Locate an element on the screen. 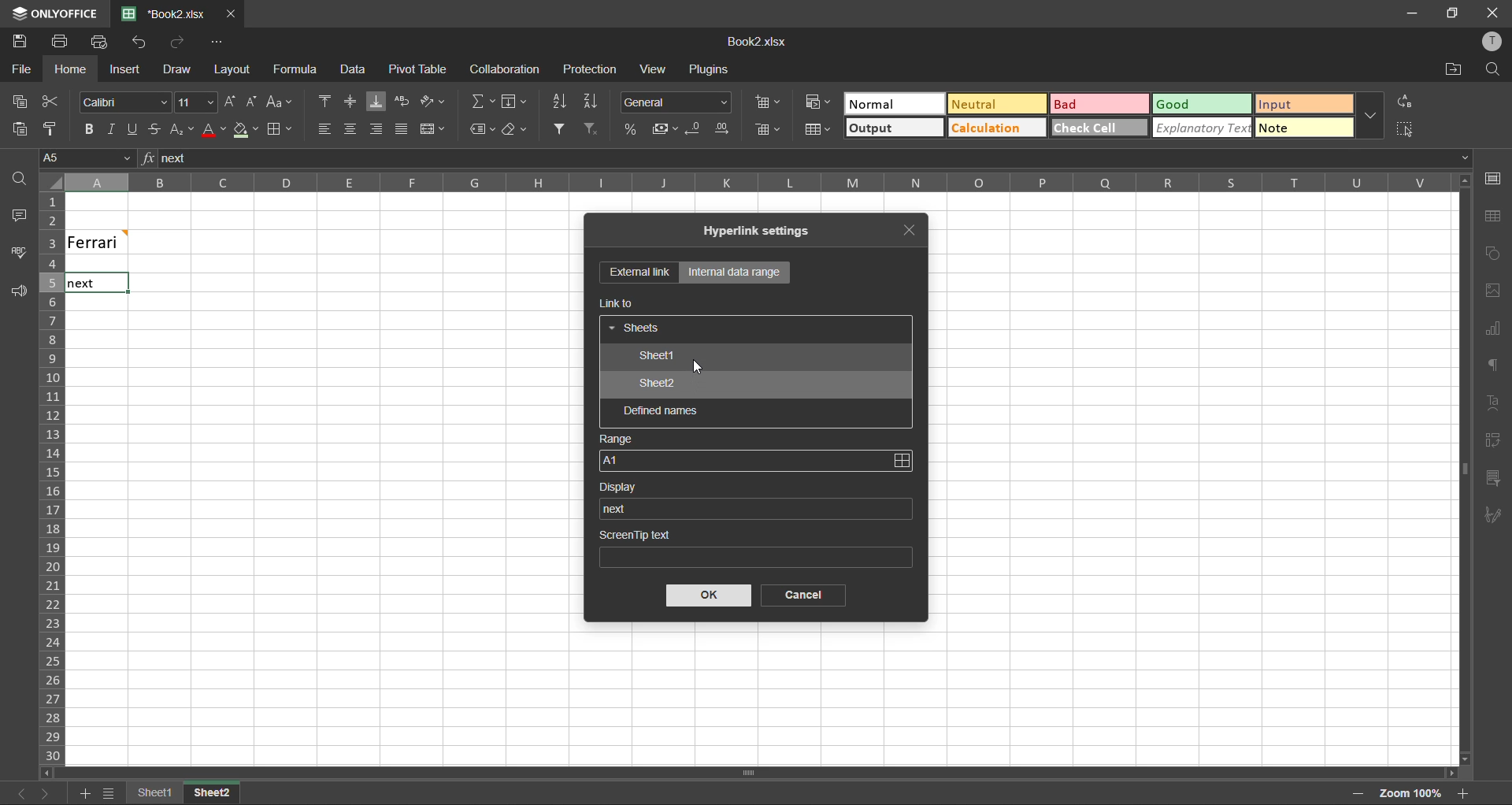 The image size is (1512, 805). next is located at coordinates (43, 793).